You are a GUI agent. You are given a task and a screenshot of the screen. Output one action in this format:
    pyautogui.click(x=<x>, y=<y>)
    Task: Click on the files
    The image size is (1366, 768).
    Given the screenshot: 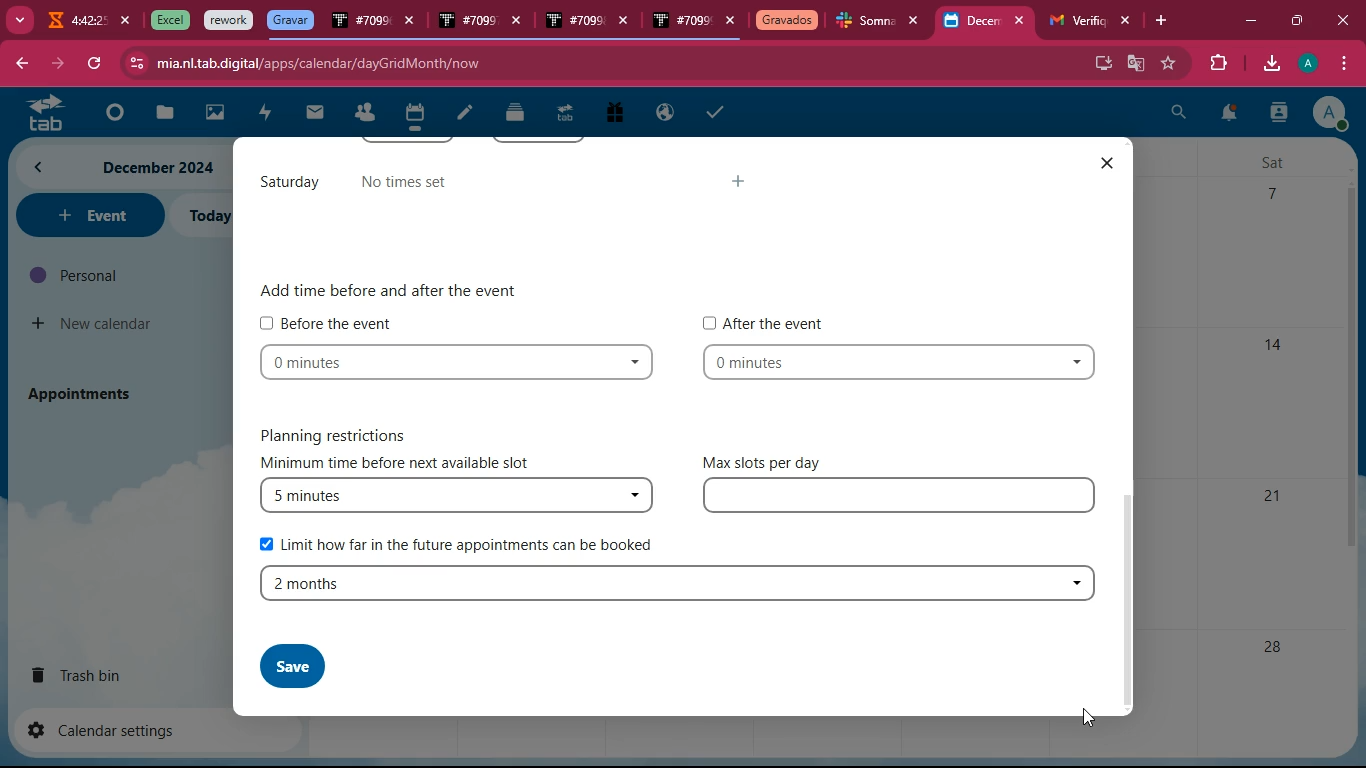 What is the action you would take?
    pyautogui.click(x=517, y=112)
    